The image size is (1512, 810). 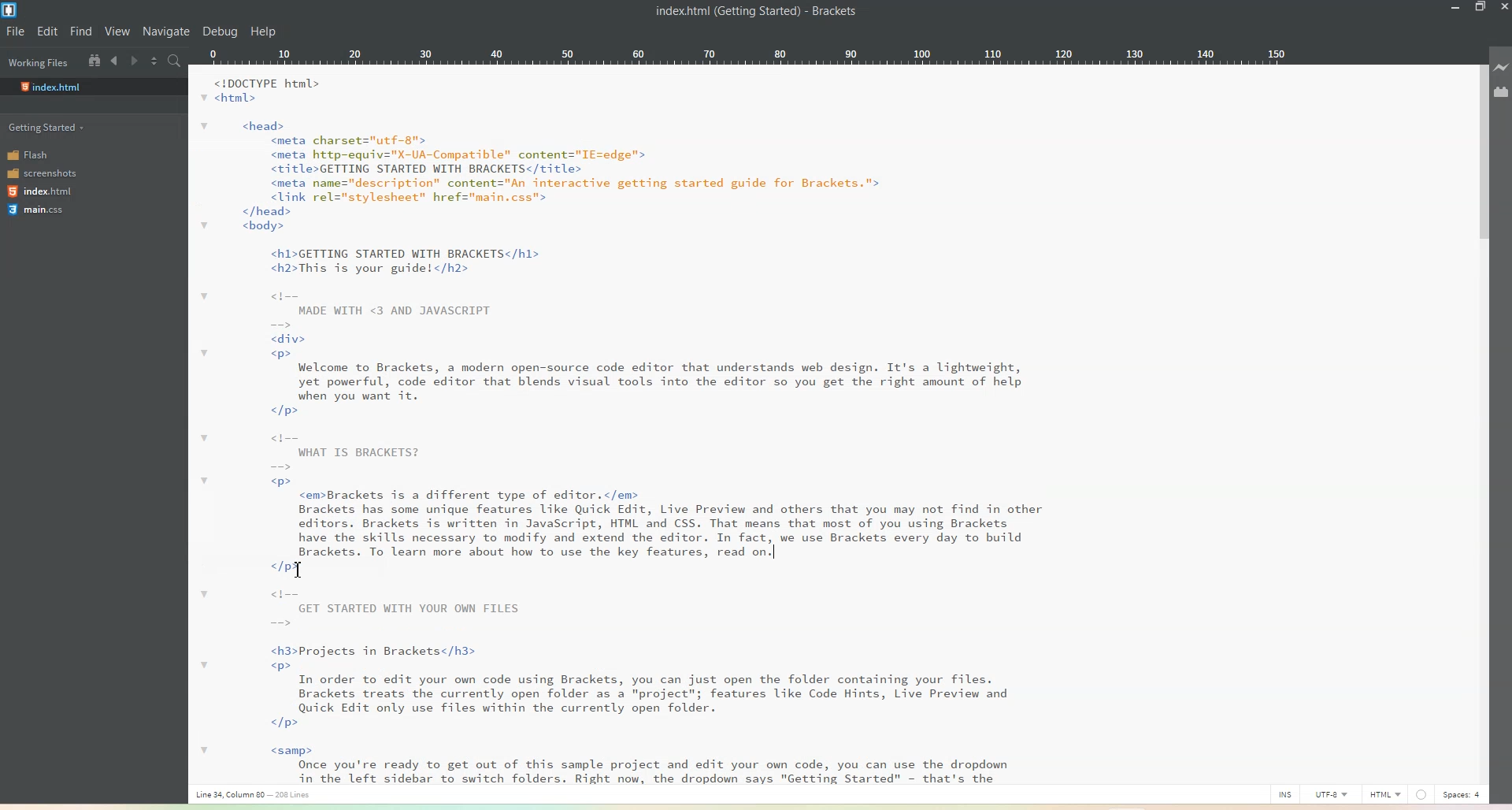 What do you see at coordinates (156, 61) in the screenshot?
I see `Split editor vertically and horizontally` at bounding box center [156, 61].